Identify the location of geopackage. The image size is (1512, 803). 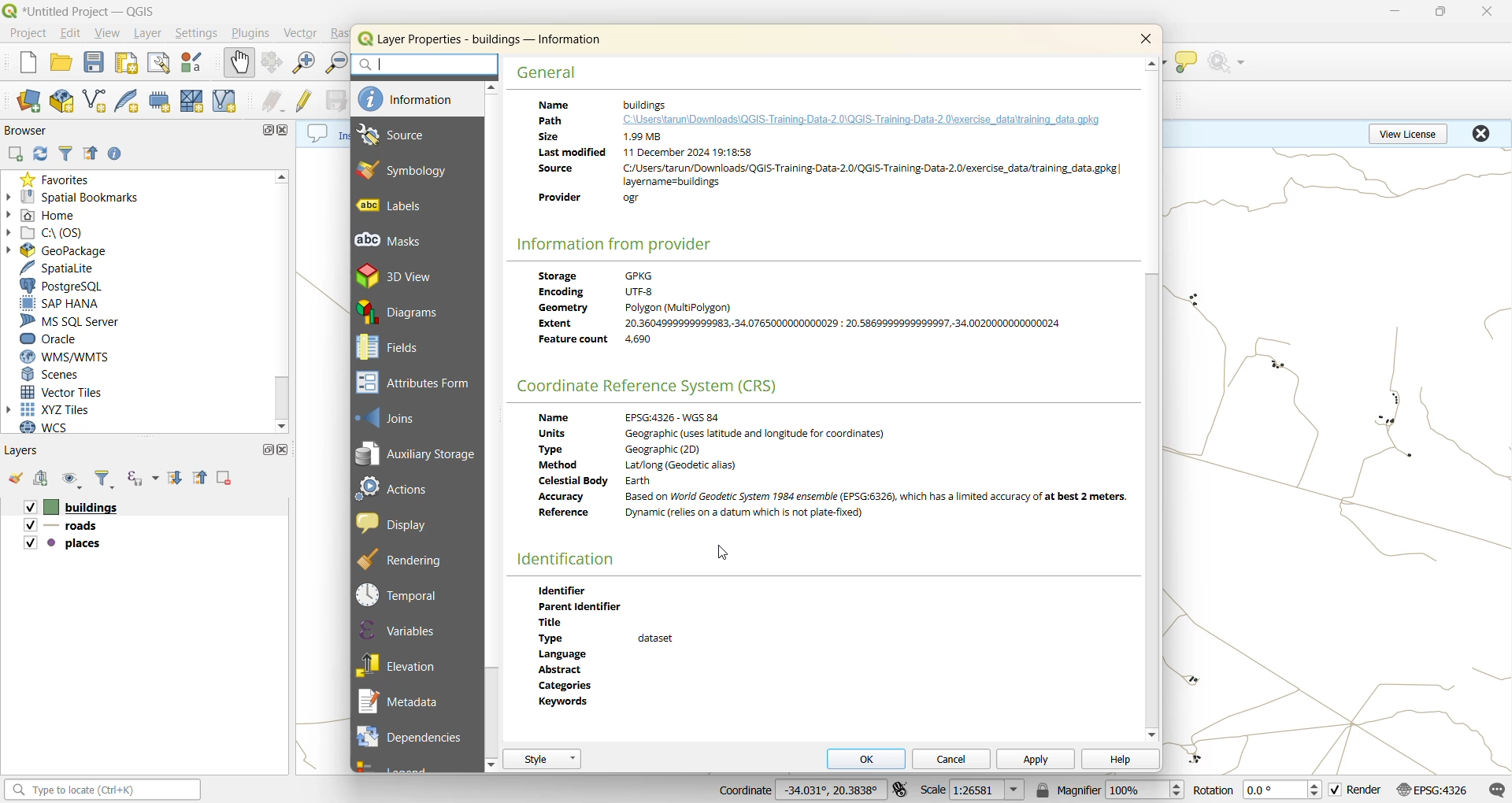
(80, 250).